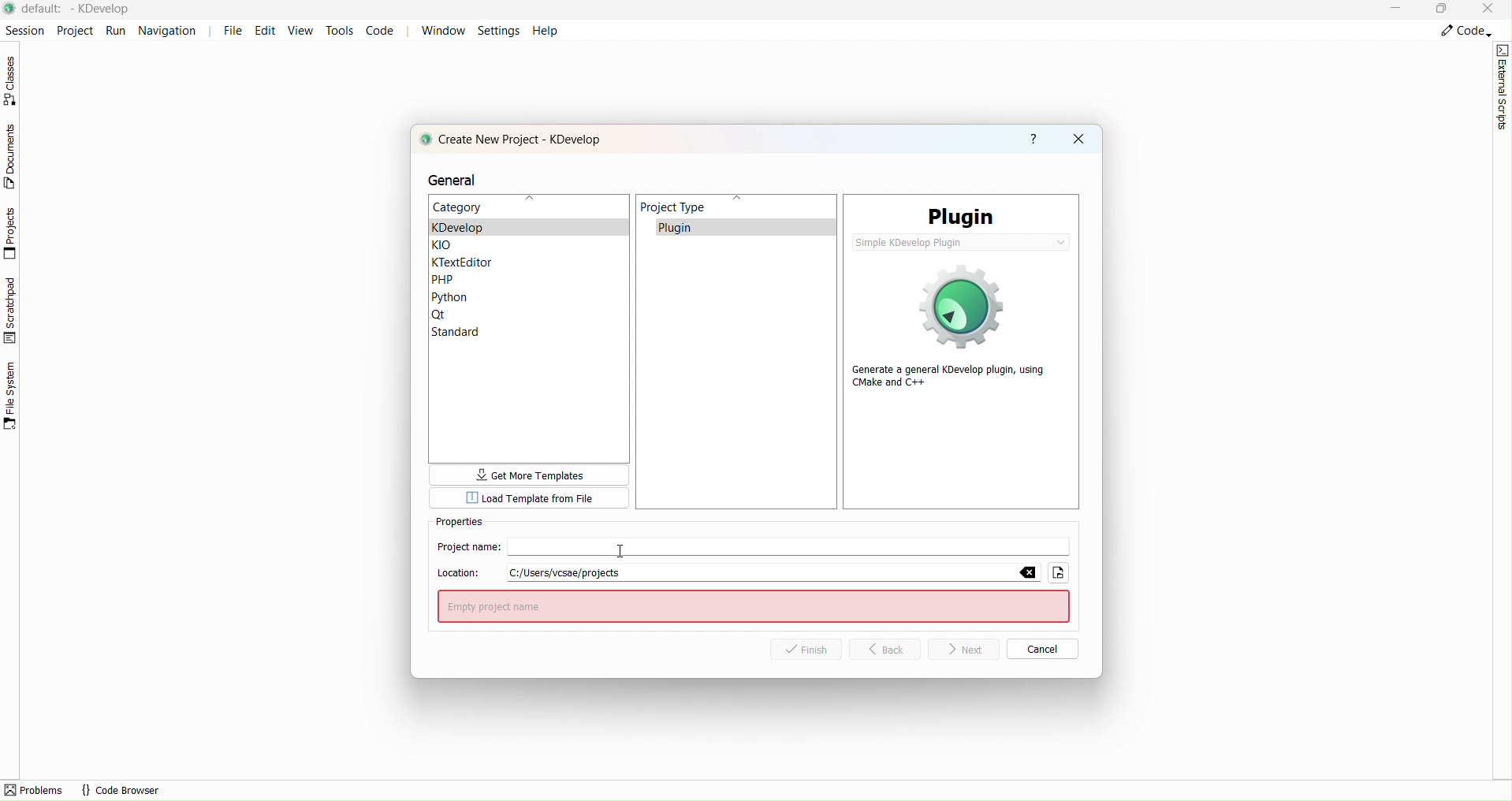 Image resolution: width=1512 pixels, height=801 pixels. I want to click on simple KDevelop plugin, so click(960, 242).